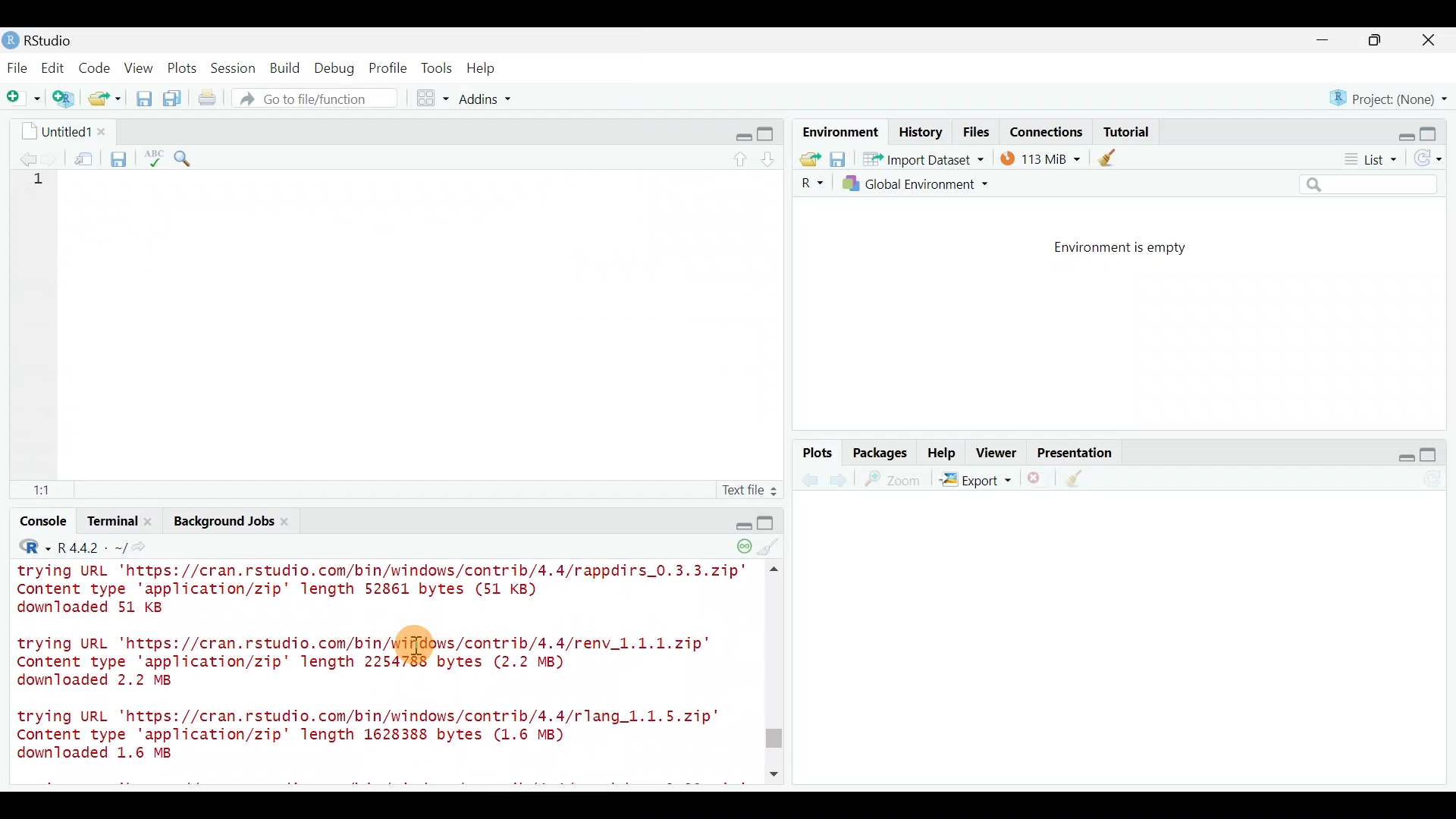 This screenshot has height=819, width=1456. What do you see at coordinates (104, 128) in the screenshot?
I see `close` at bounding box center [104, 128].